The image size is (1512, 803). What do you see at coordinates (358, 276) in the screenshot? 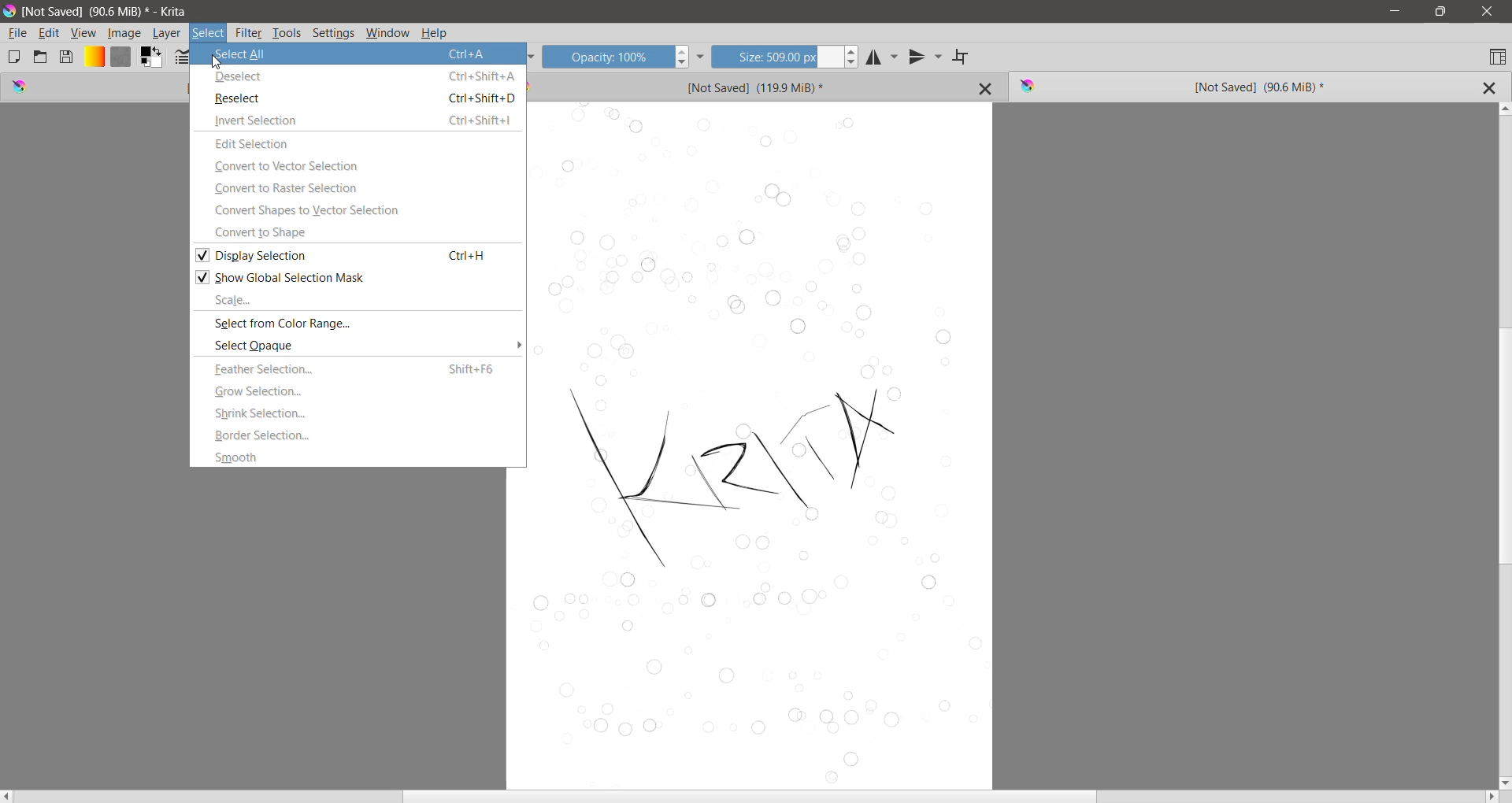
I see `Show Global Selection Mask - enable/disable` at bounding box center [358, 276].